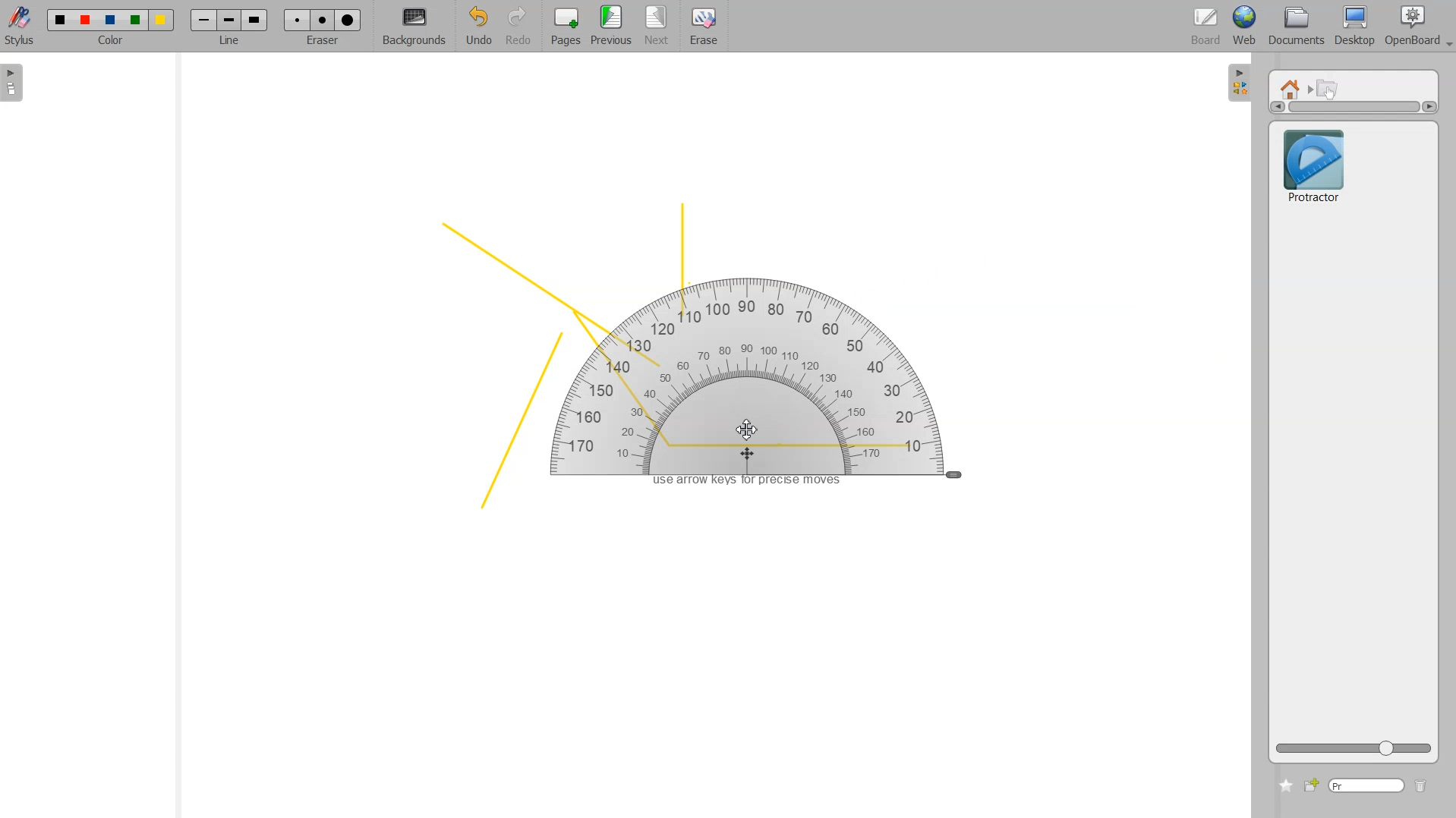 Image resolution: width=1456 pixels, height=818 pixels. What do you see at coordinates (1328, 88) in the screenshot?
I see `Interactive` at bounding box center [1328, 88].